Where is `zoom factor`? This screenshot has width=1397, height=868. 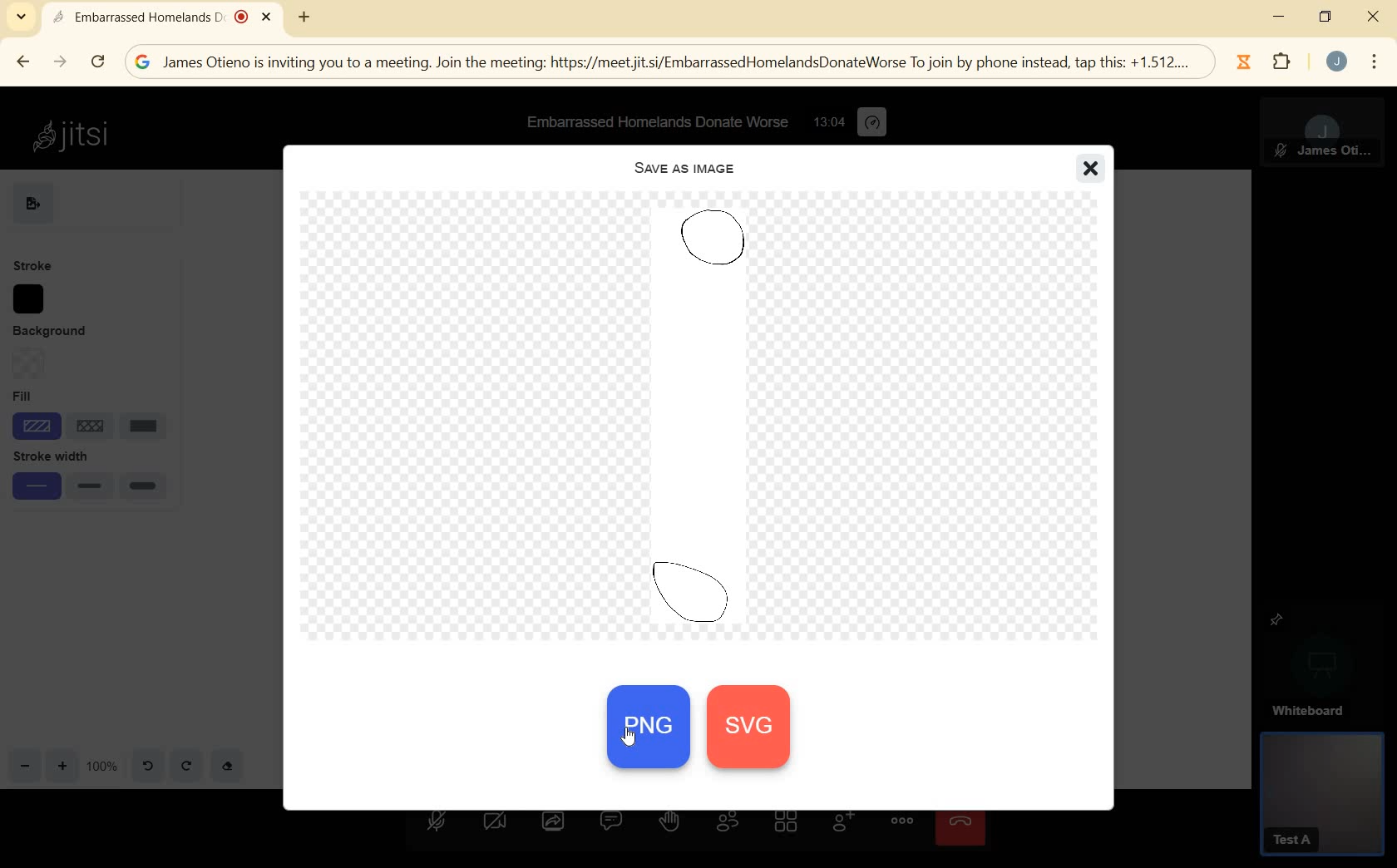 zoom factor is located at coordinates (103, 768).